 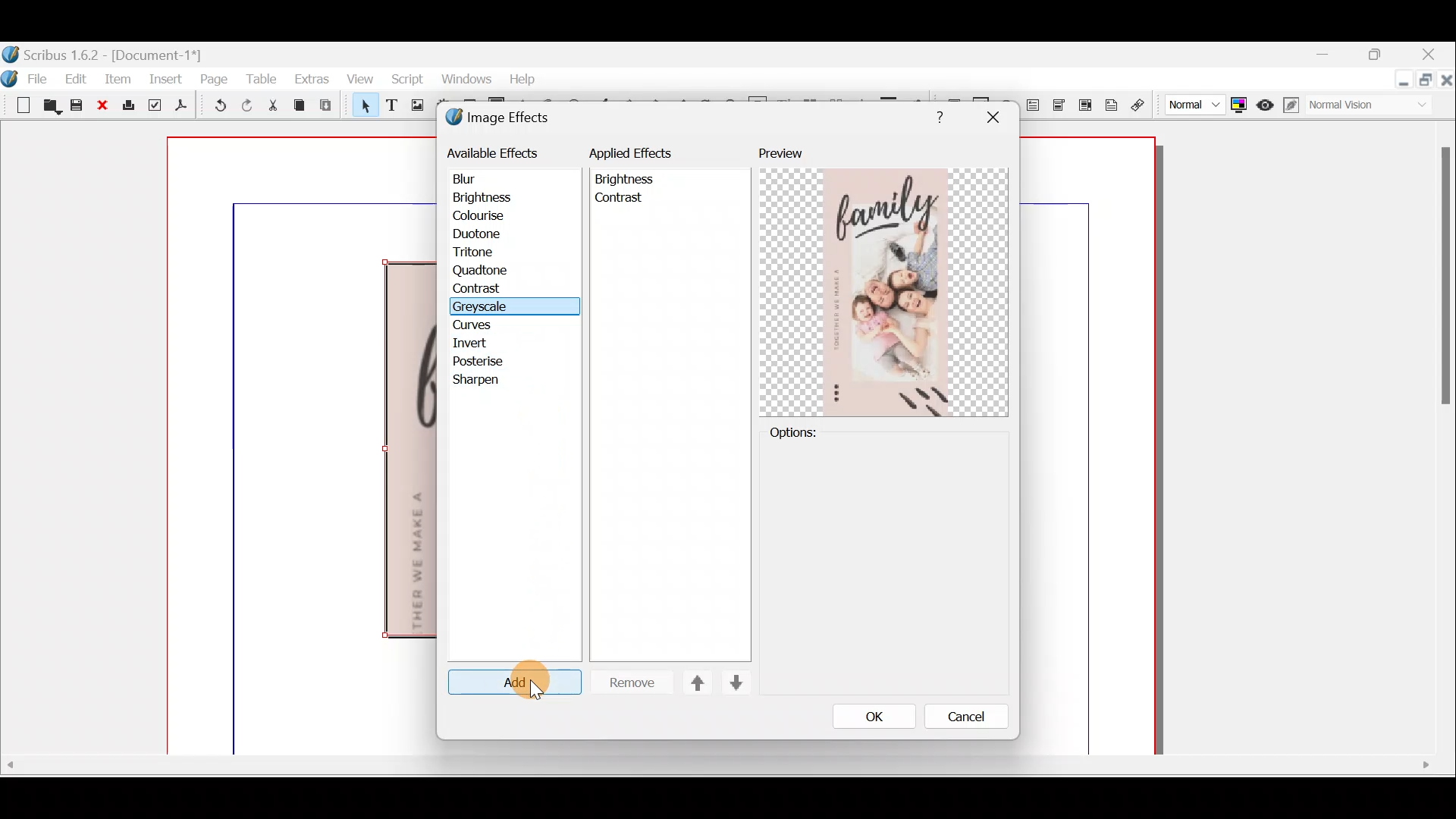 What do you see at coordinates (394, 107) in the screenshot?
I see `Text frame` at bounding box center [394, 107].